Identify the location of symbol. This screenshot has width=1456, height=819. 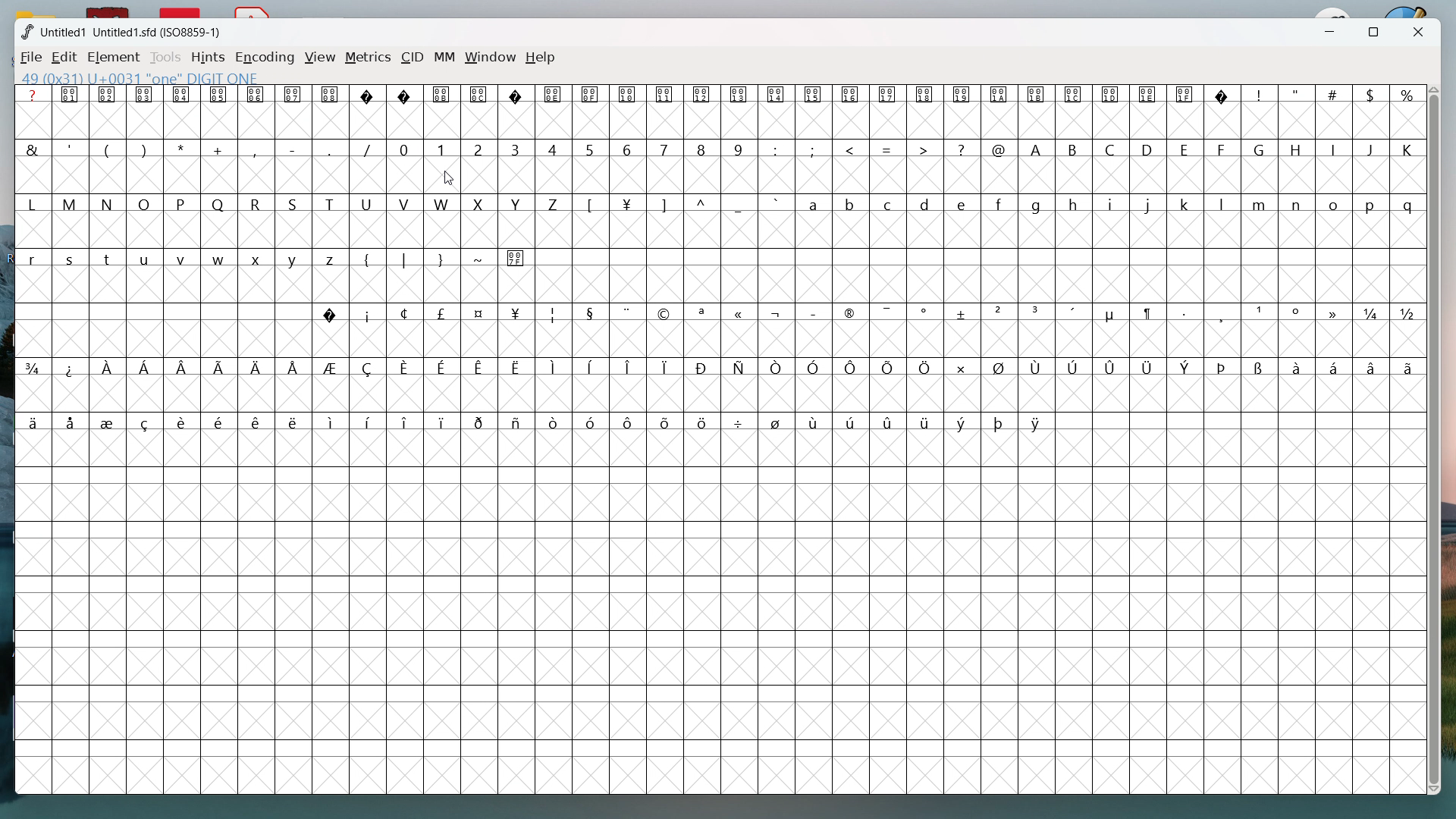
(962, 367).